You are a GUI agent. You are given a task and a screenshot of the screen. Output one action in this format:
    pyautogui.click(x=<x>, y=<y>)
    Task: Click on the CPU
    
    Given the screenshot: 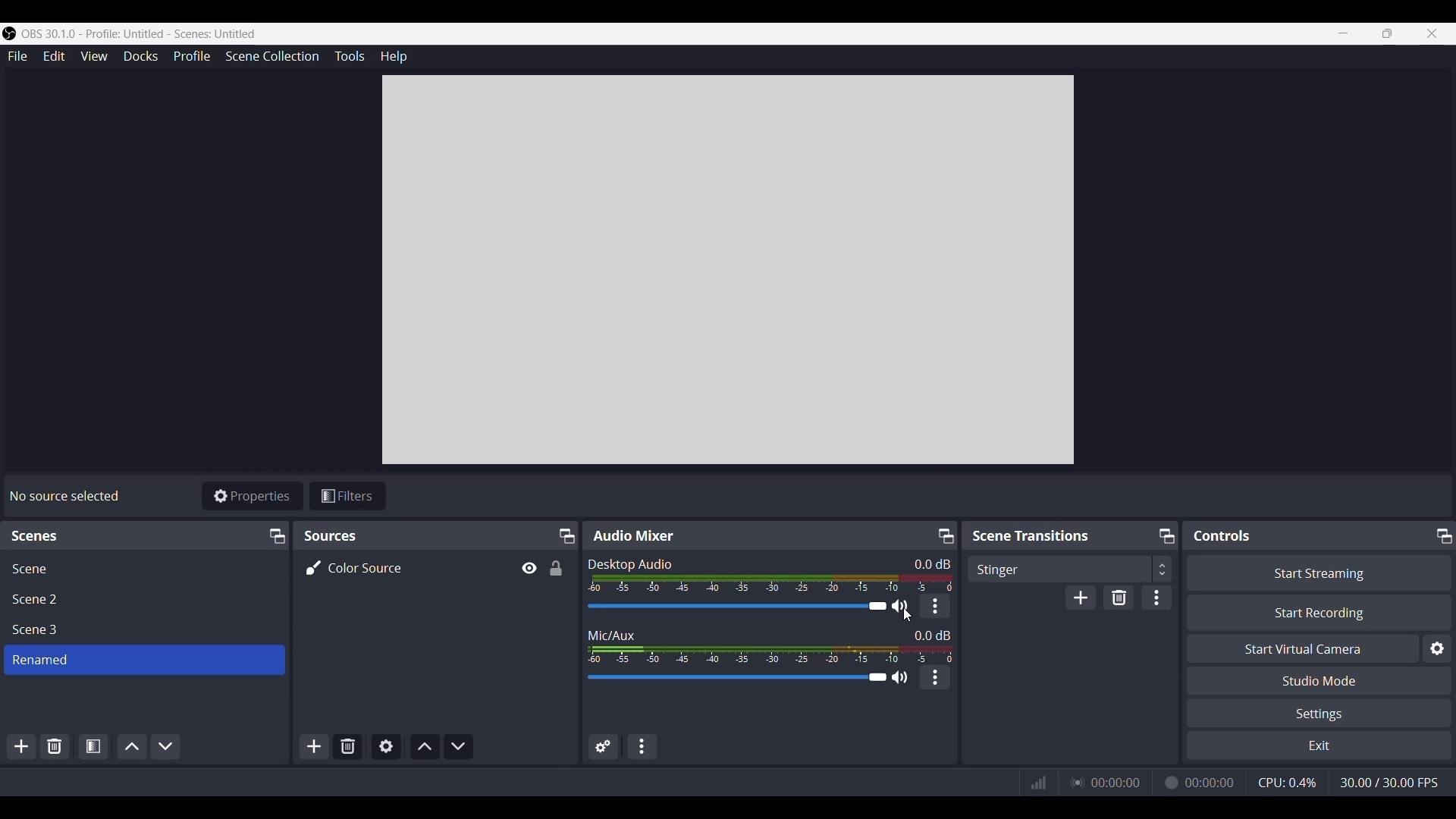 What is the action you would take?
    pyautogui.click(x=1285, y=783)
    